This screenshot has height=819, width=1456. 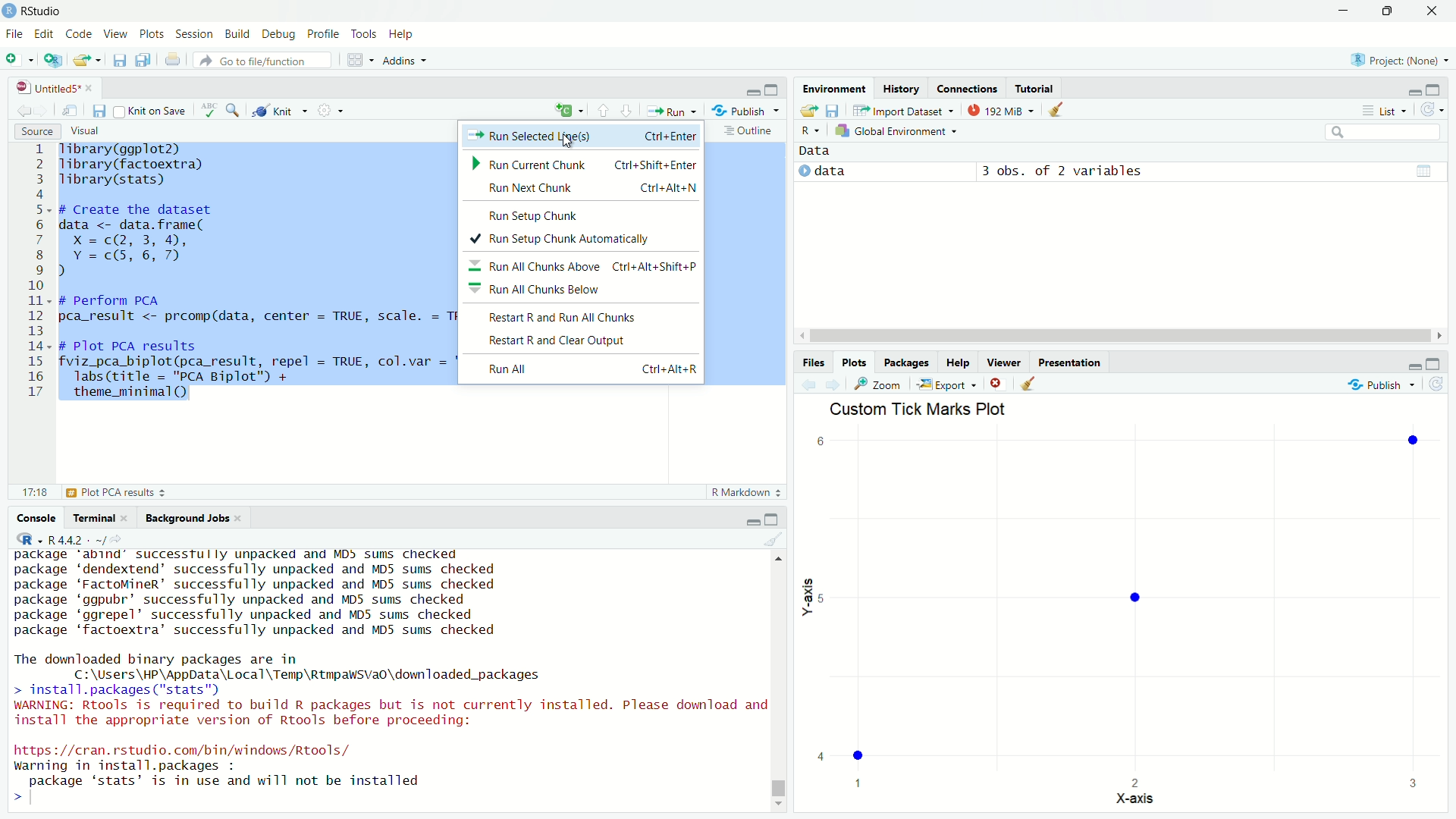 I want to click on View, so click(x=117, y=35).